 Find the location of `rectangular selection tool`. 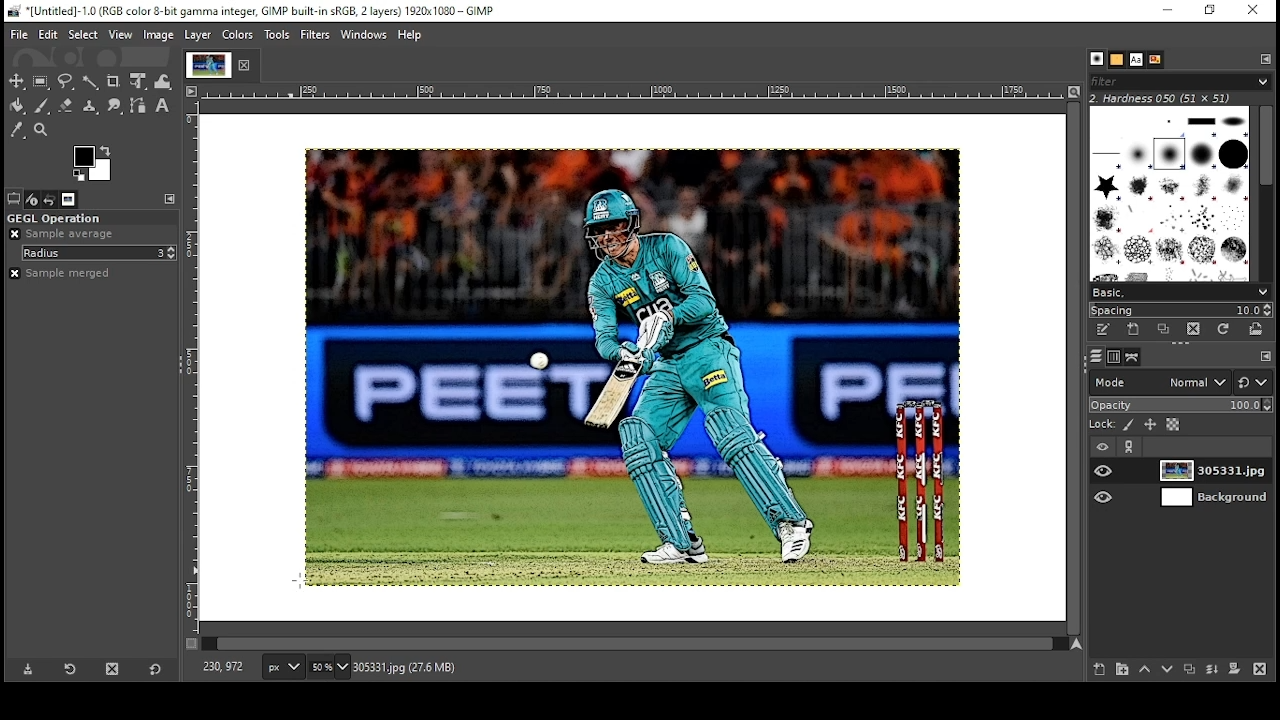

rectangular selection tool is located at coordinates (41, 82).